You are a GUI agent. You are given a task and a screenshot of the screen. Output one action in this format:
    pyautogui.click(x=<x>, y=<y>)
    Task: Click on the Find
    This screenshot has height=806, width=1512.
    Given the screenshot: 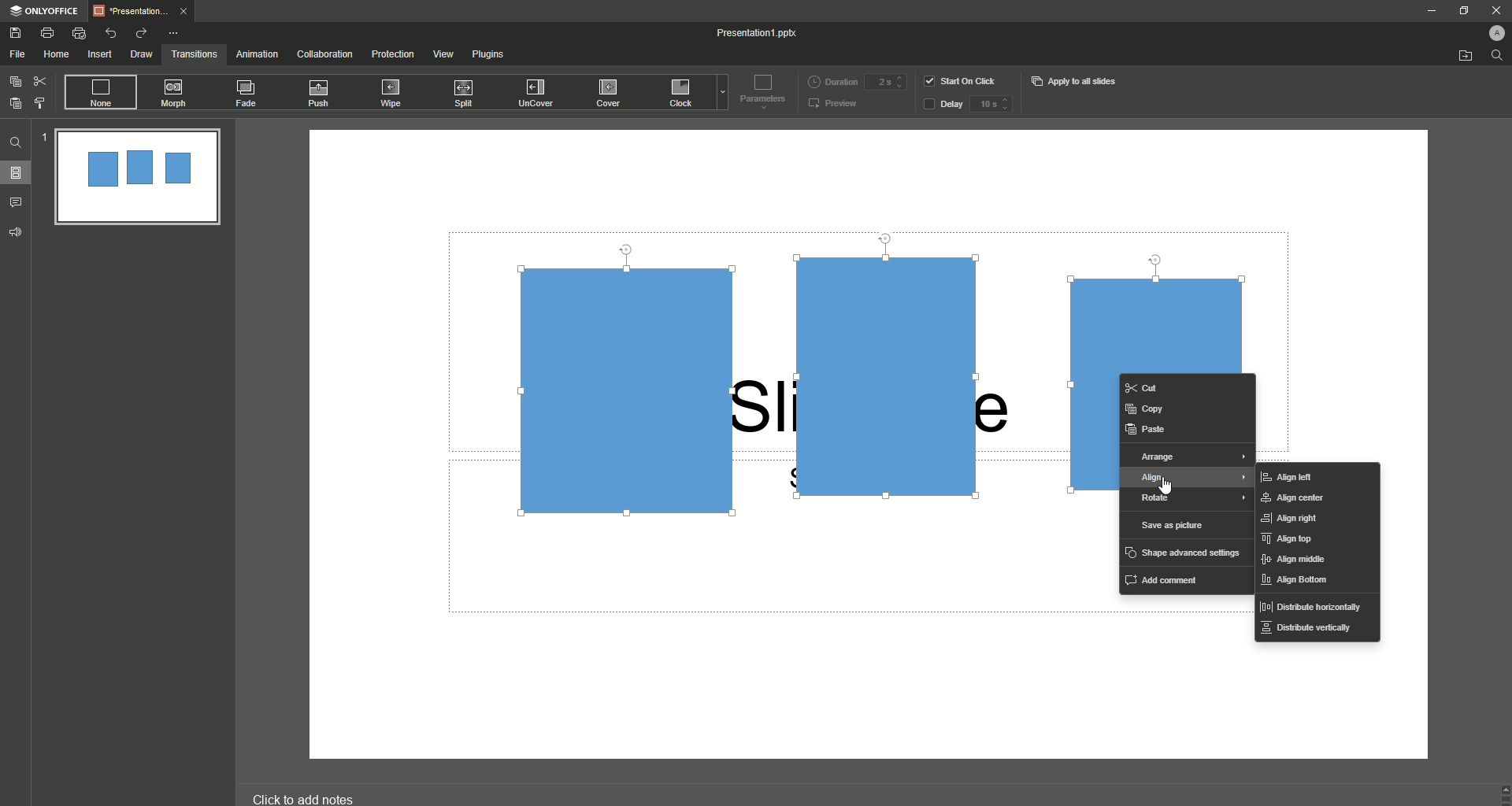 What is the action you would take?
    pyautogui.click(x=16, y=142)
    